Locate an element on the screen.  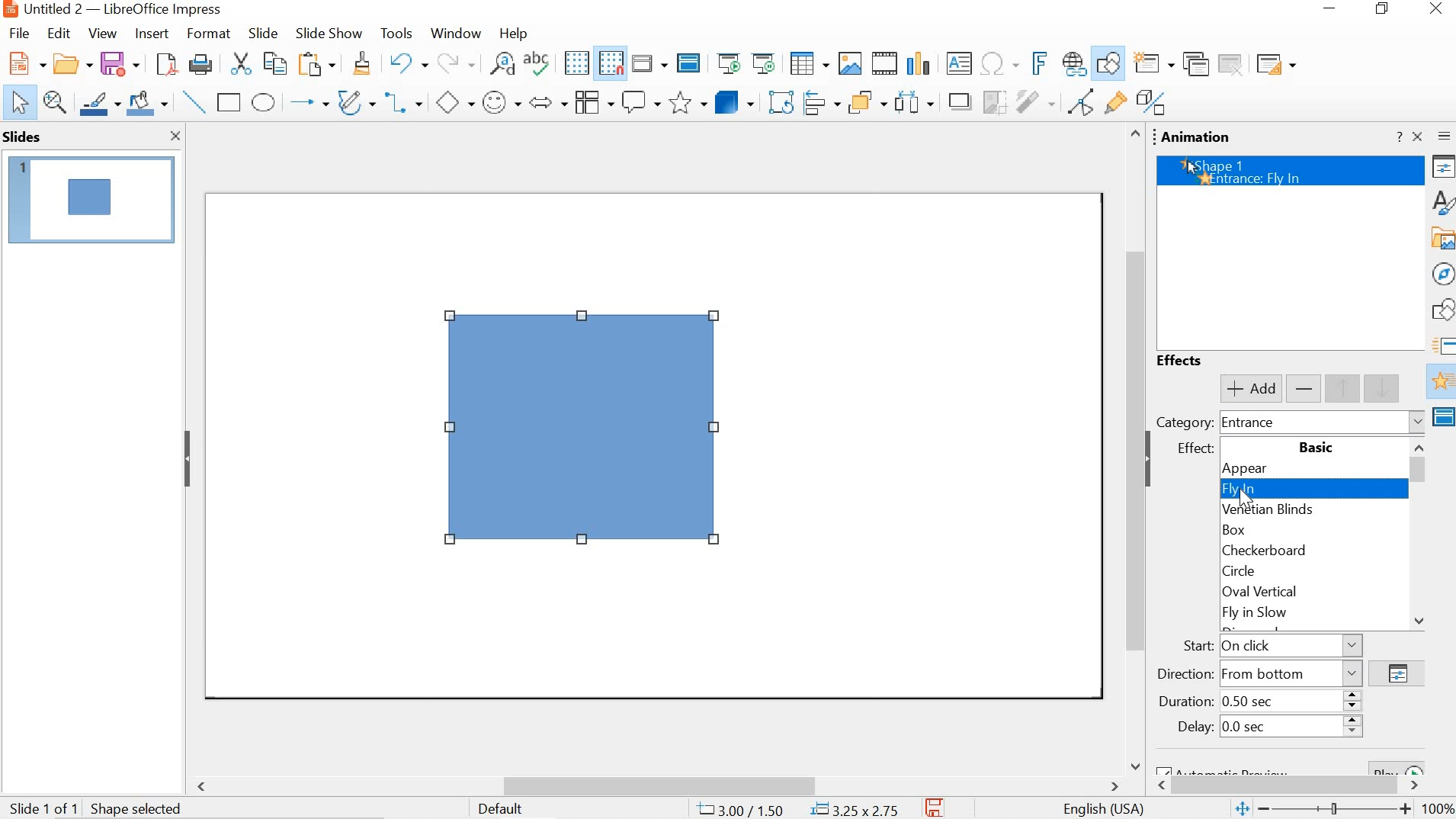
gallery is located at coordinates (1442, 237).